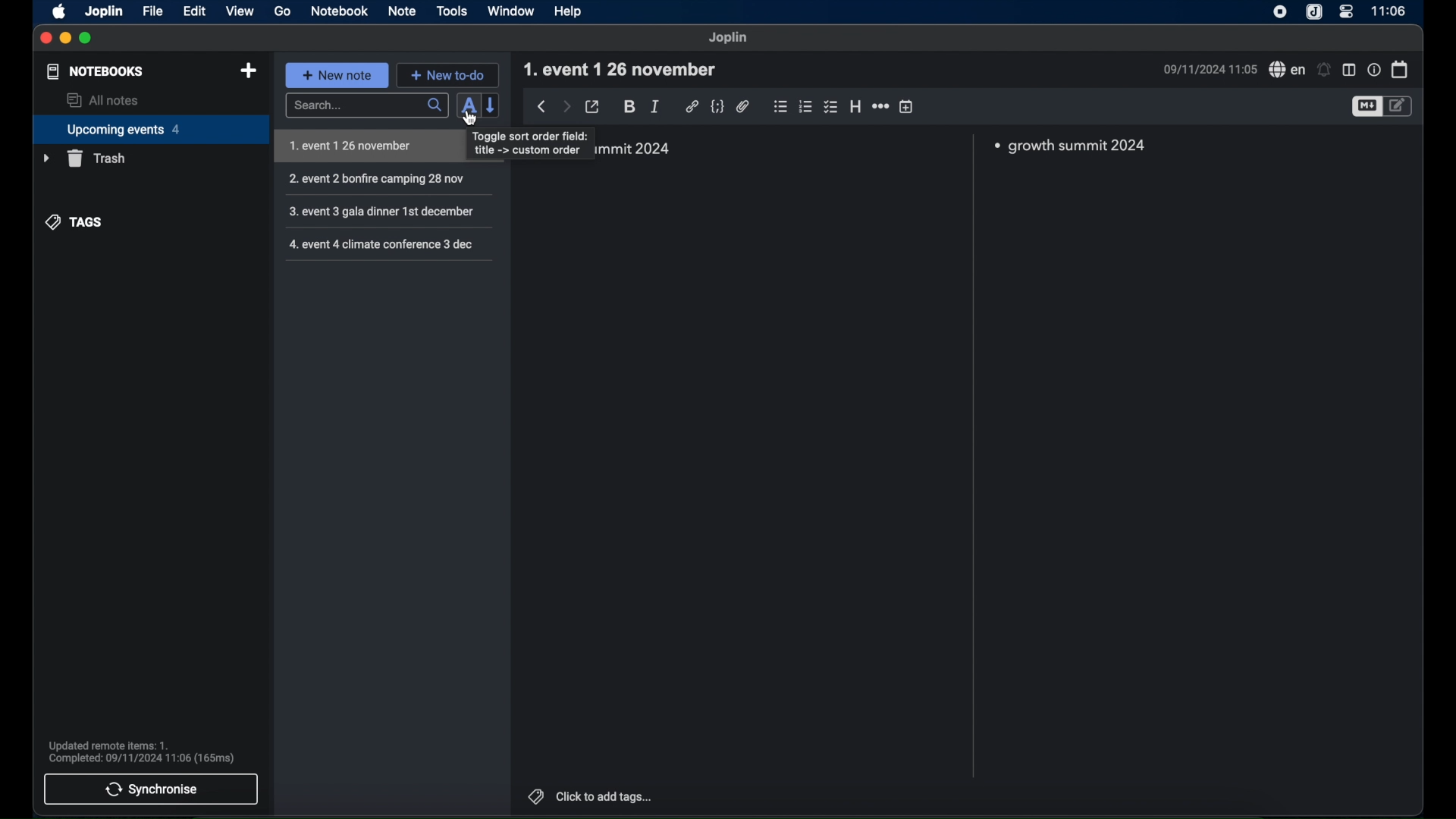 The width and height of the screenshot is (1456, 819). I want to click on attach file, so click(743, 108).